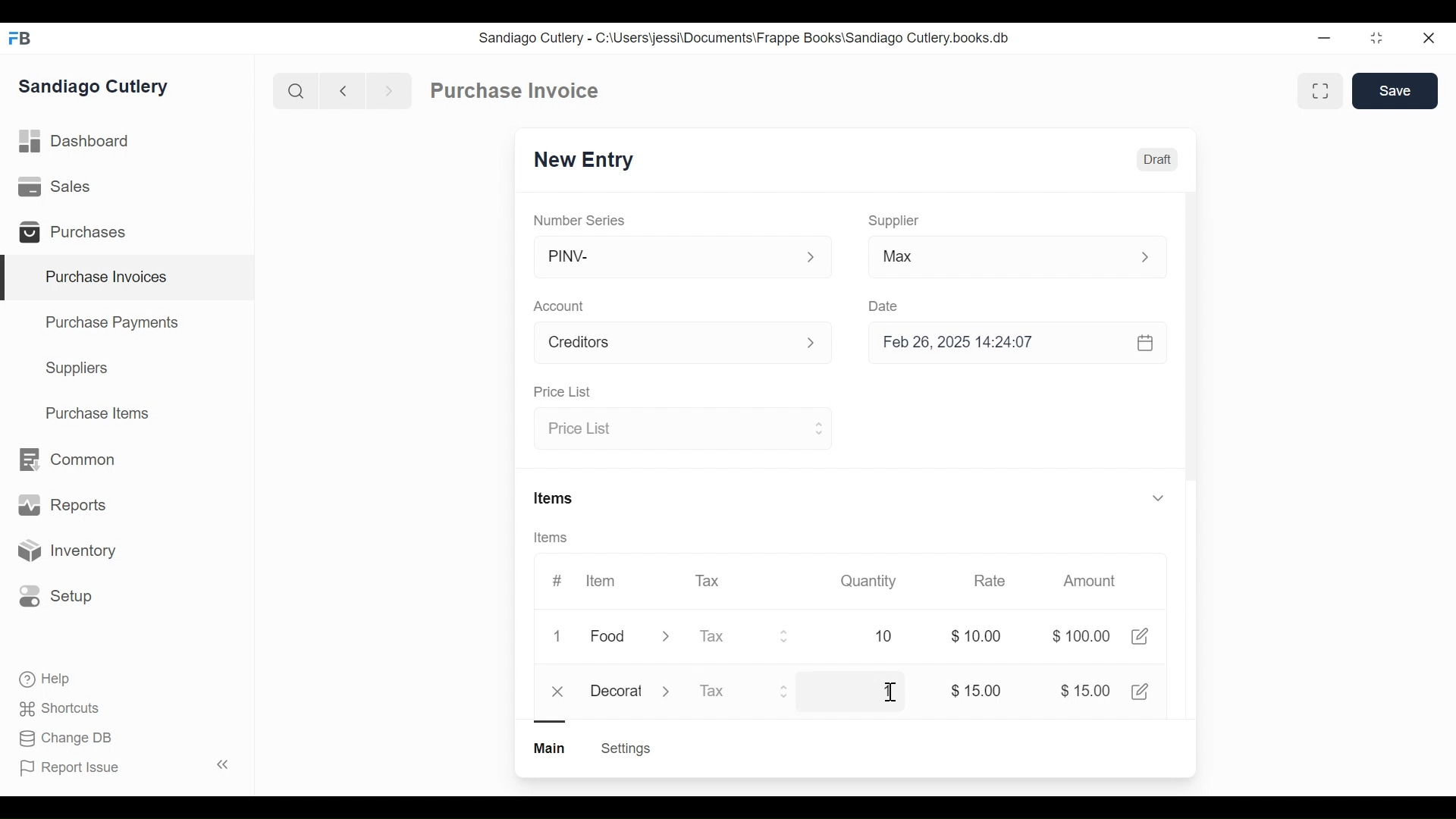  Describe the element at coordinates (1375, 39) in the screenshot. I see `restore` at that location.